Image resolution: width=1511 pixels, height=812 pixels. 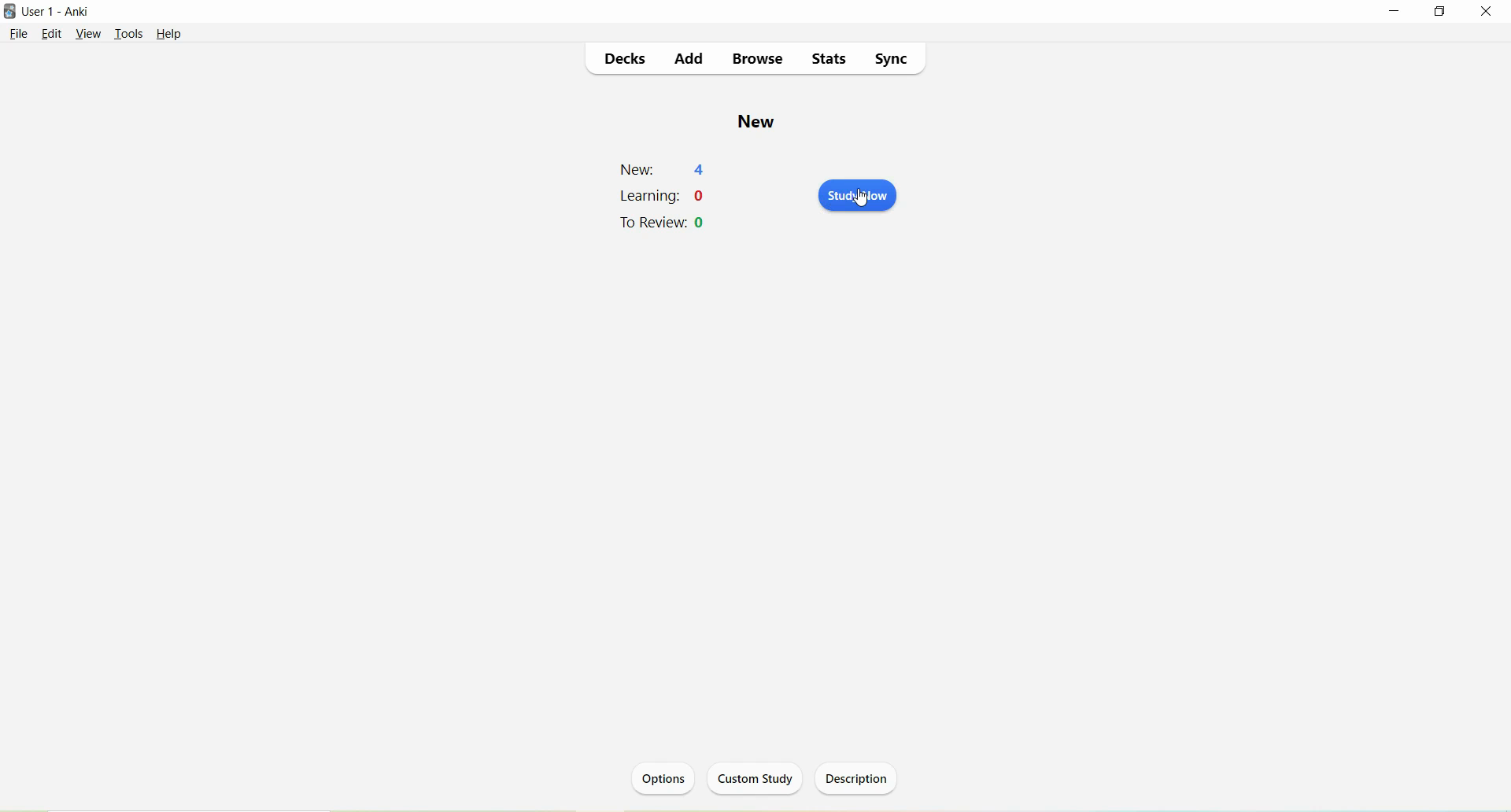 I want to click on Sync, so click(x=891, y=61).